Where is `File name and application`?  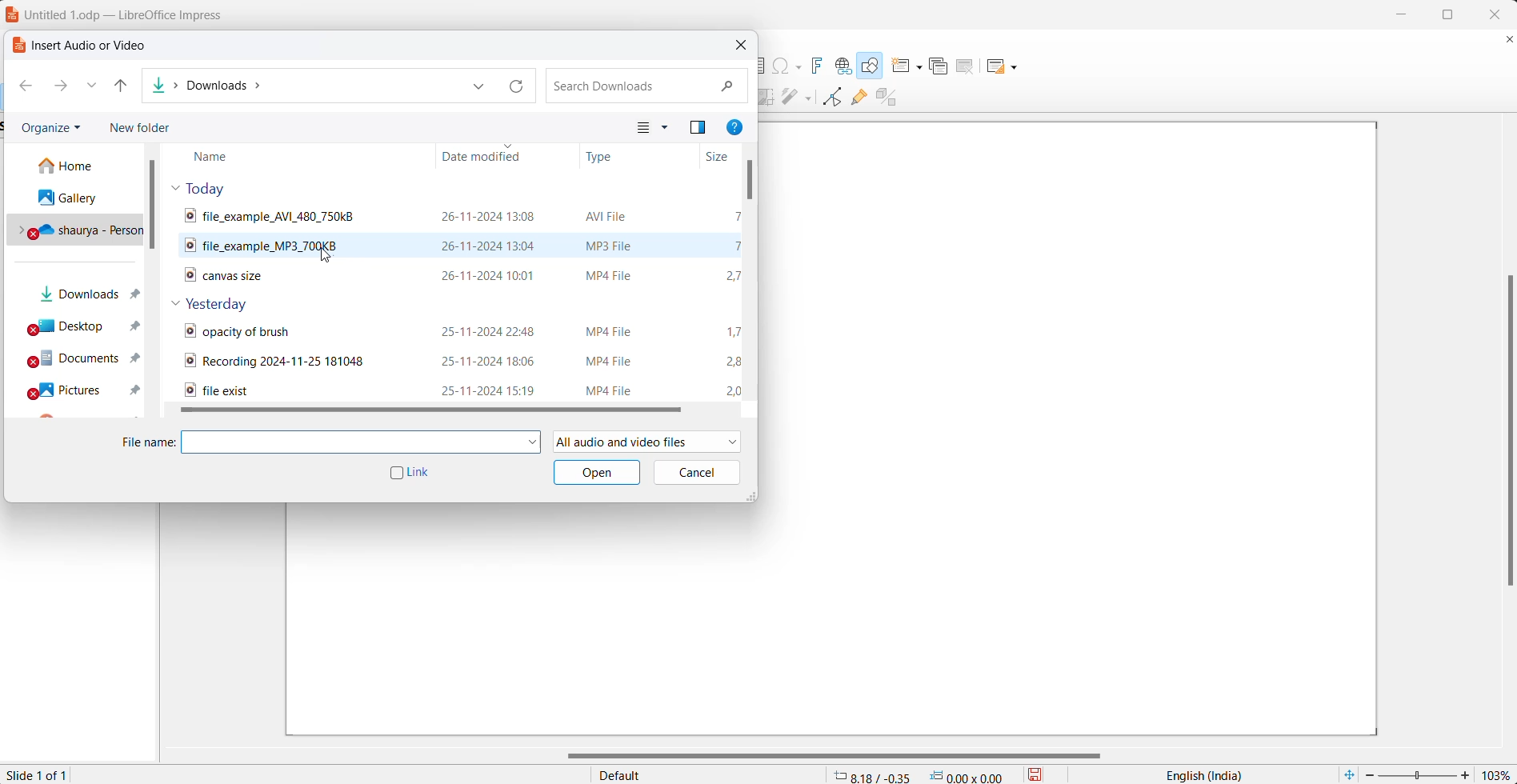
File name and application is located at coordinates (139, 13).